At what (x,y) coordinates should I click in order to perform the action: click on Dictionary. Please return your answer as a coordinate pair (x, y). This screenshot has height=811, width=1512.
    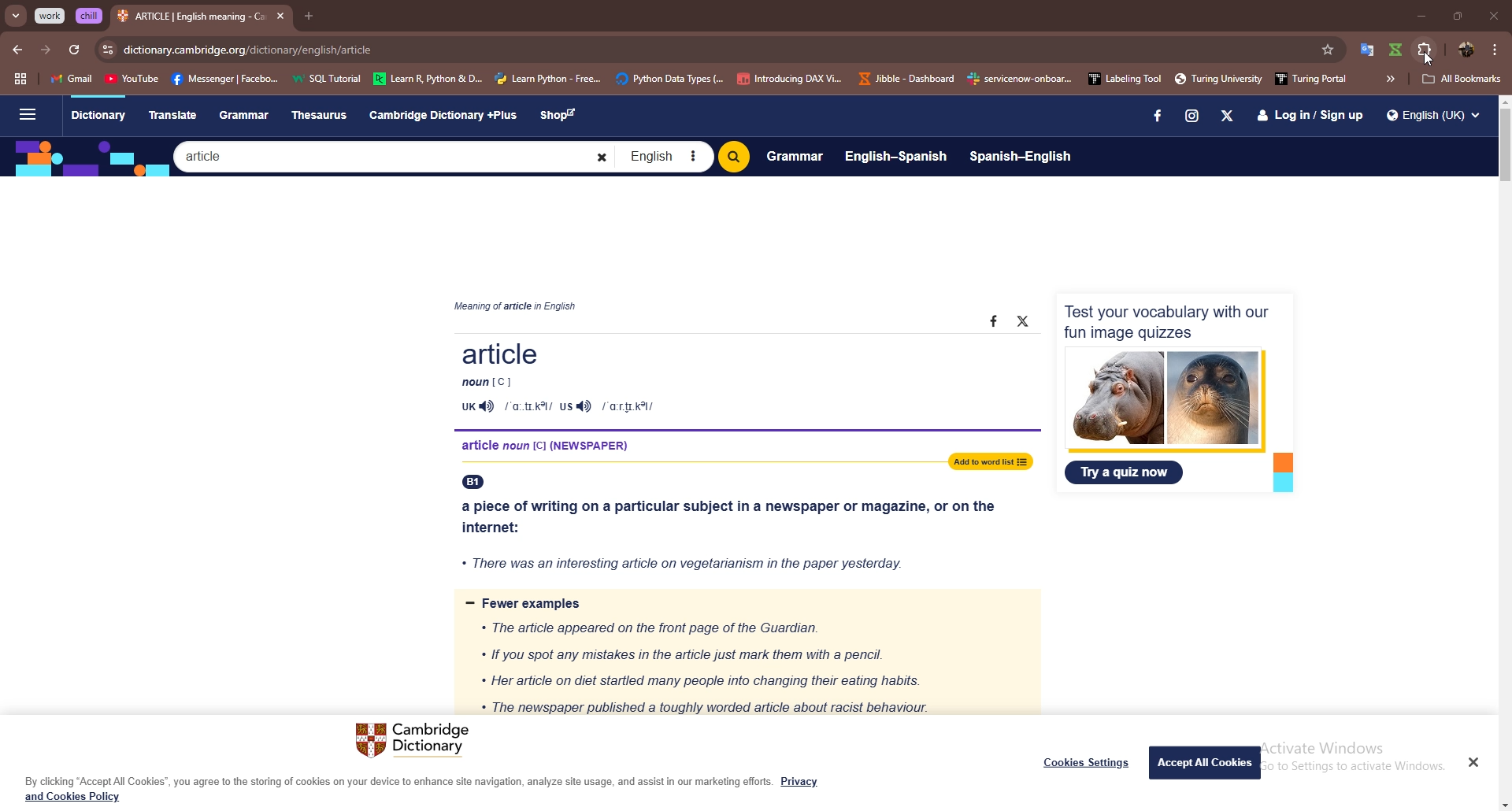
    Looking at the image, I should click on (98, 117).